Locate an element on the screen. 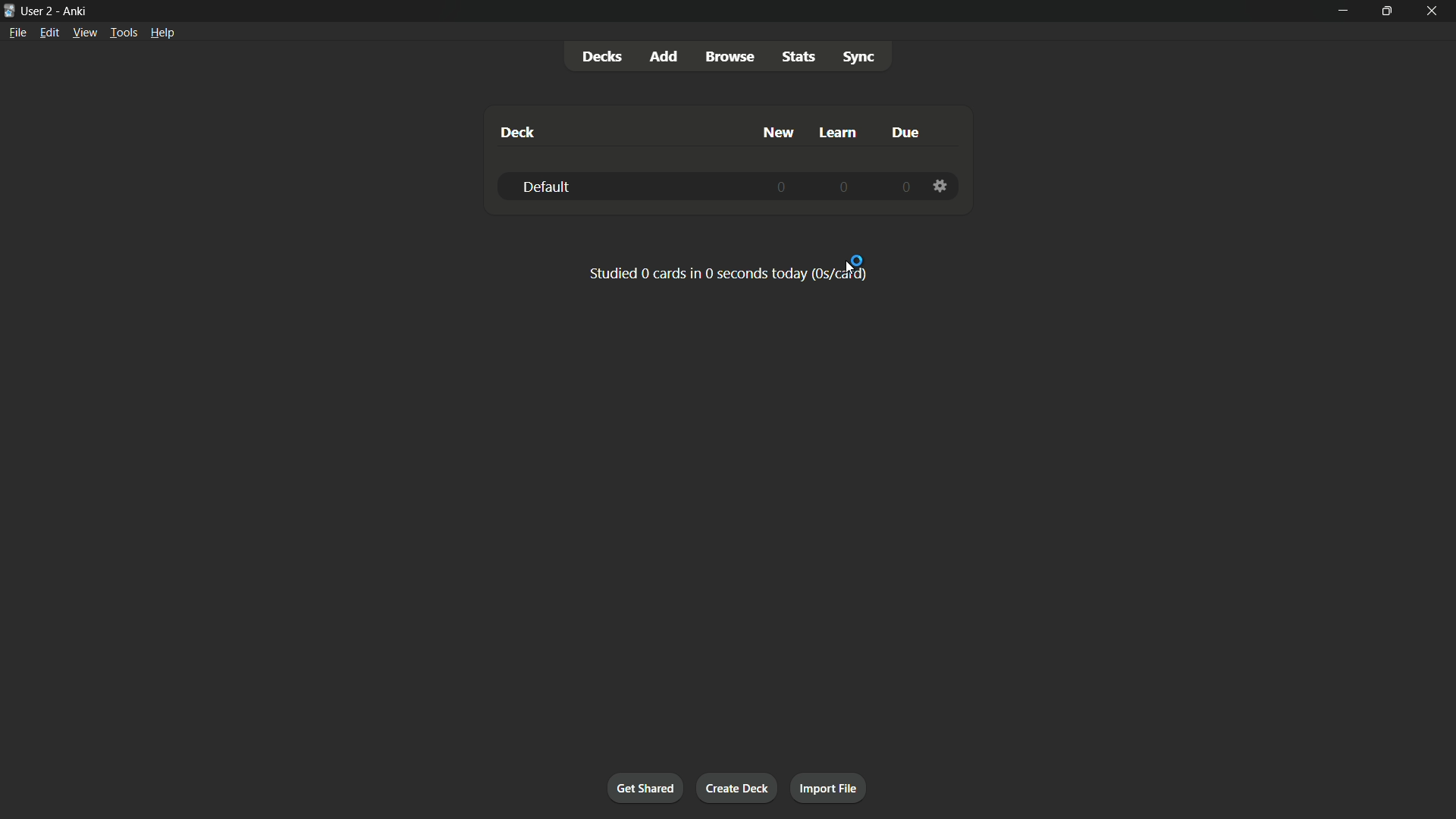 This screenshot has width=1456, height=819. Learn is located at coordinates (834, 133).